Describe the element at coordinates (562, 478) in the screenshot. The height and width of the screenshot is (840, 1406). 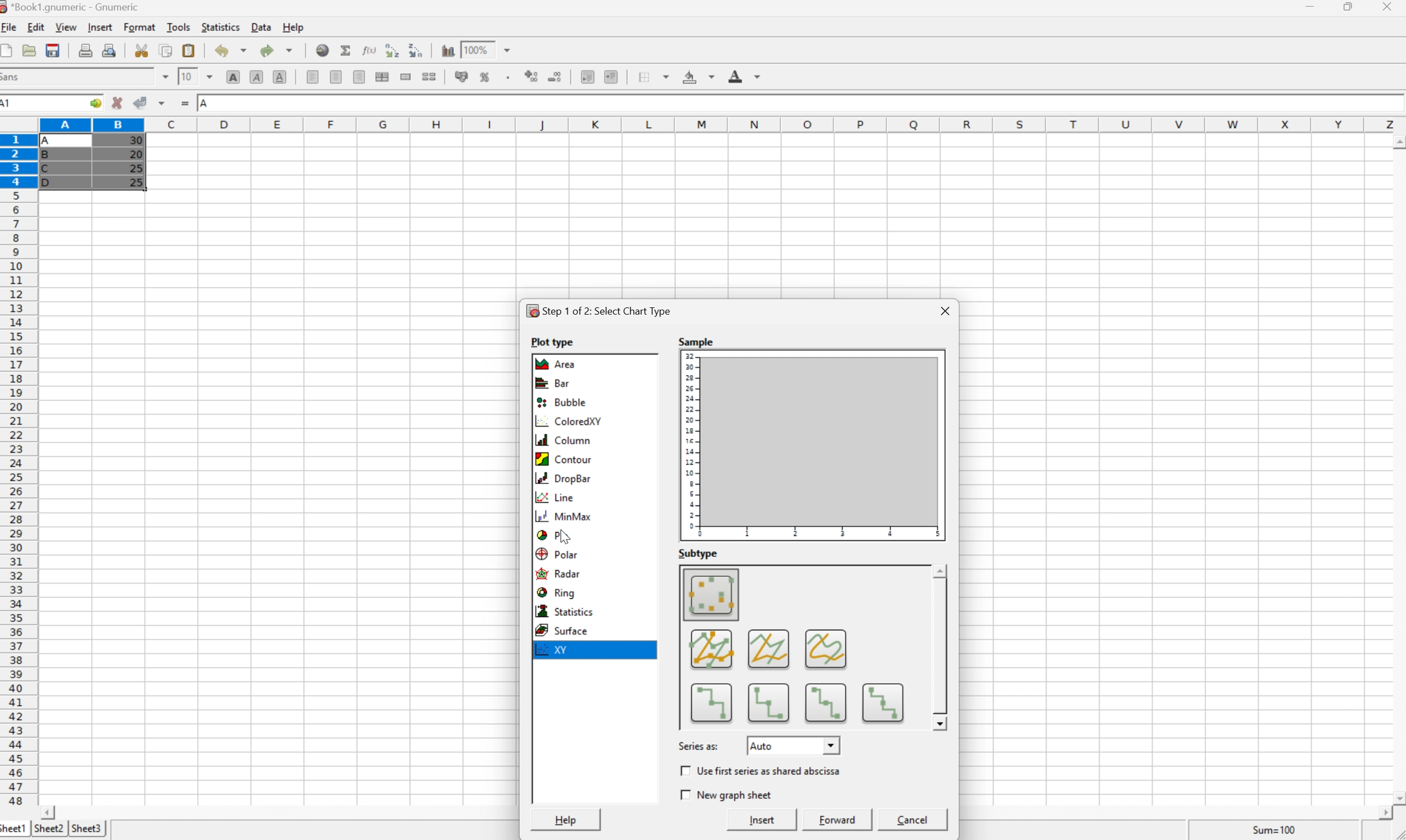
I see `DeepBar` at that location.